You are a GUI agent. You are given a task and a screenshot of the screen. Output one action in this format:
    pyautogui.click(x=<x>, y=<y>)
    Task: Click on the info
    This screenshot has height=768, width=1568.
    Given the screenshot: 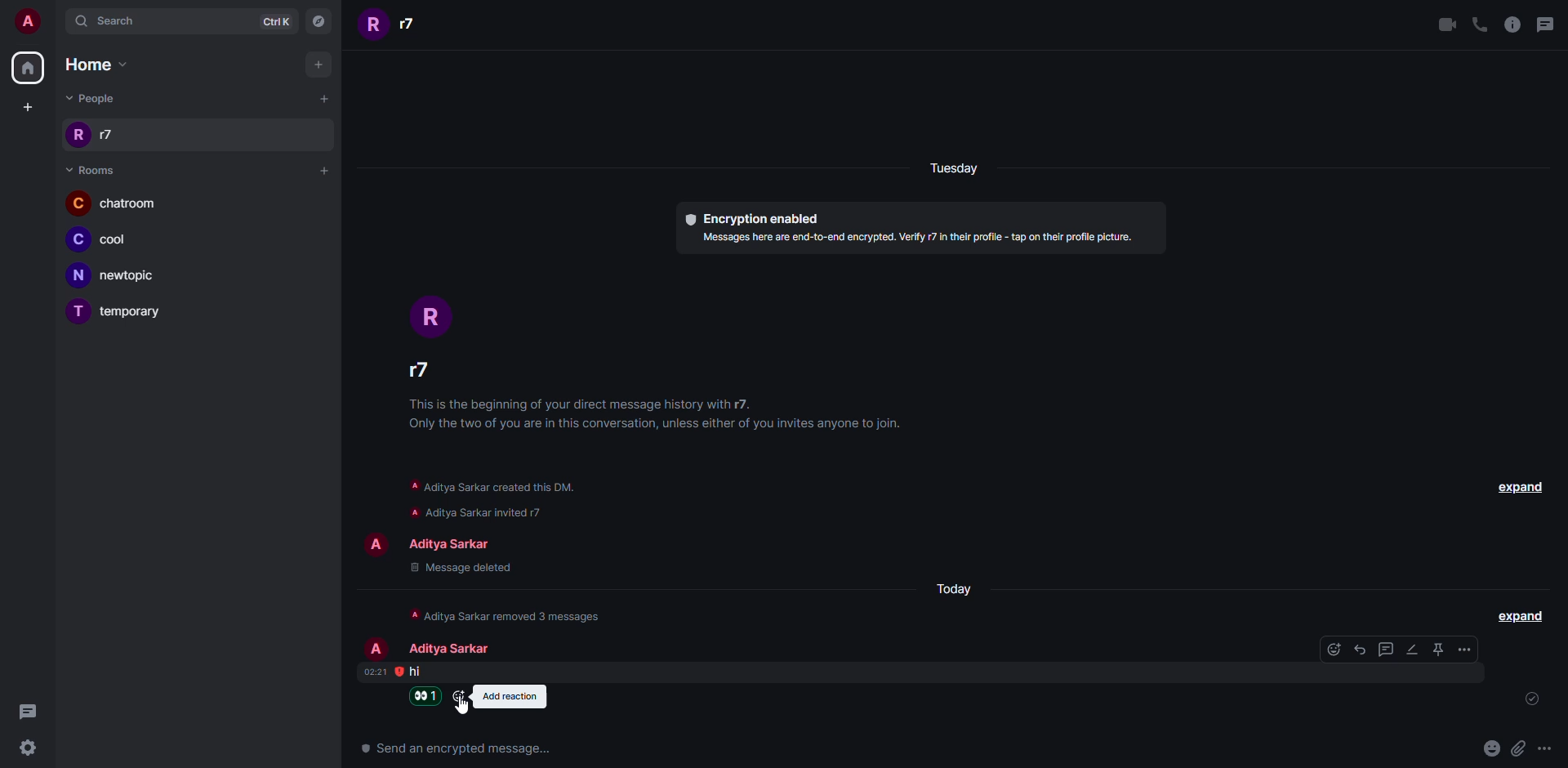 What is the action you would take?
    pyautogui.click(x=1512, y=25)
    